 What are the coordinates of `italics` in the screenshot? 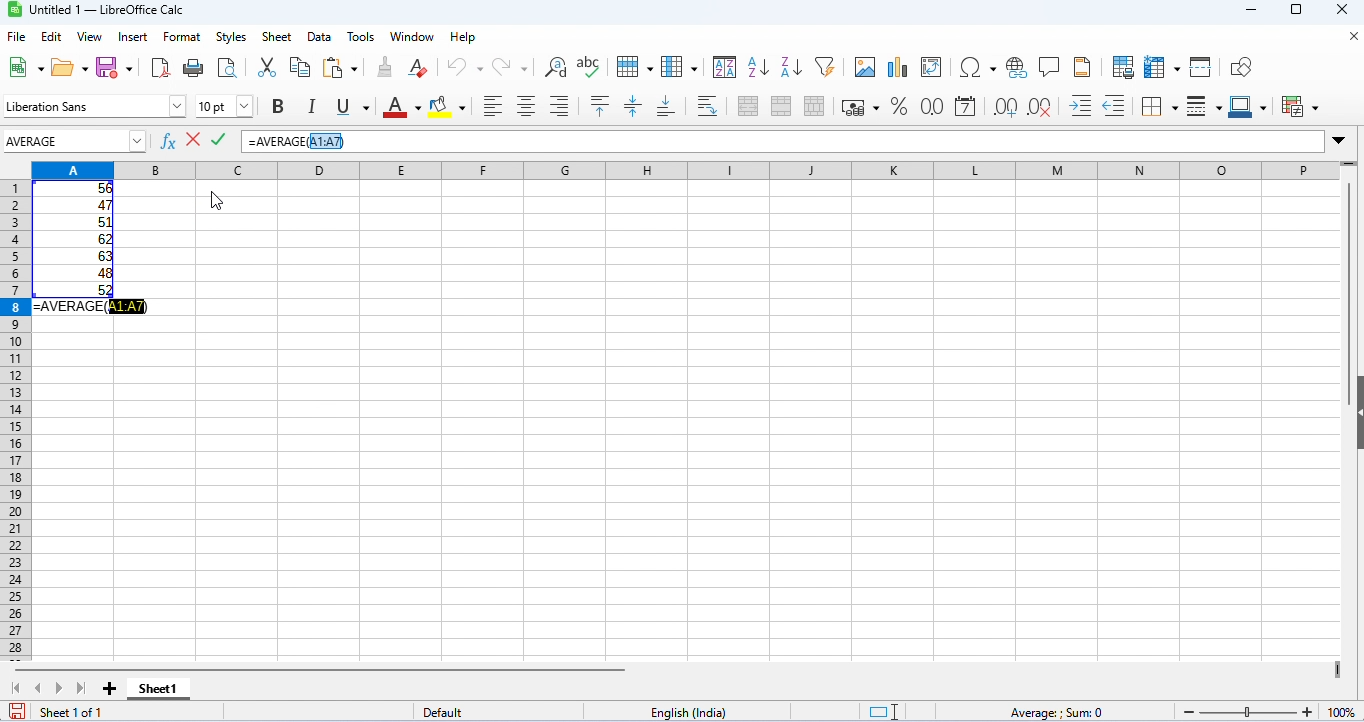 It's located at (310, 106).